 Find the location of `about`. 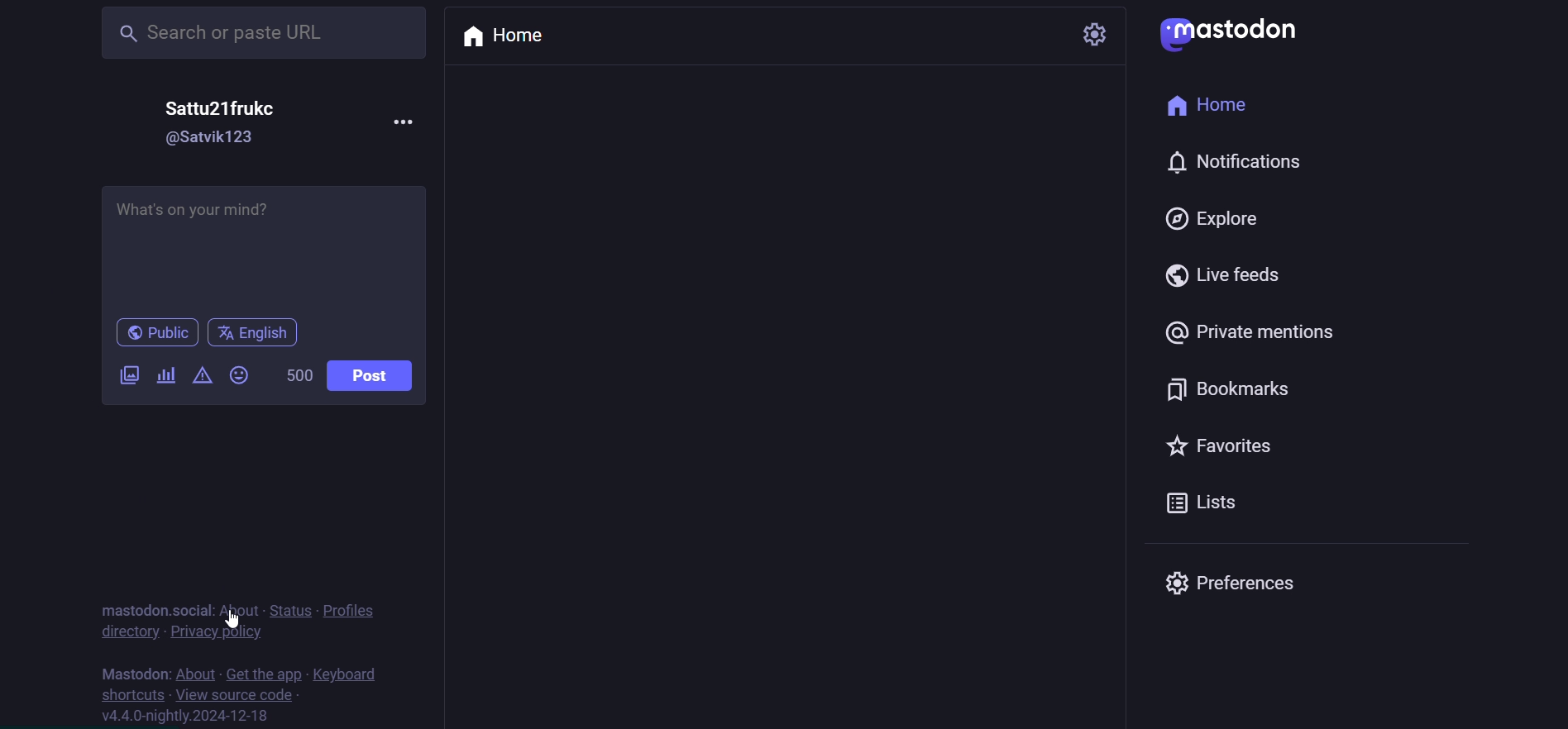

about is located at coordinates (194, 672).